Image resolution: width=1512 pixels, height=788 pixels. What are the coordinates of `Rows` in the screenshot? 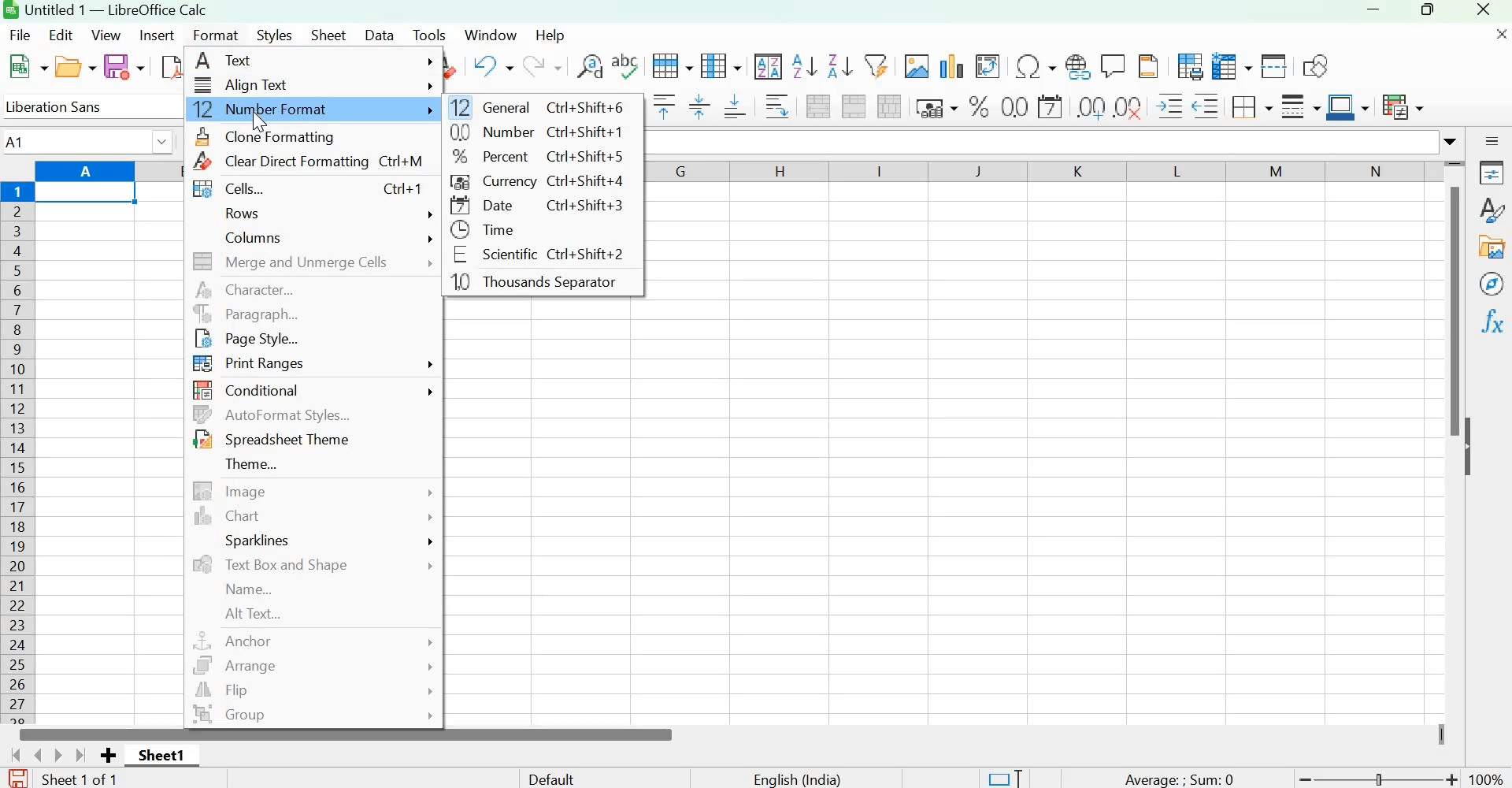 It's located at (245, 214).